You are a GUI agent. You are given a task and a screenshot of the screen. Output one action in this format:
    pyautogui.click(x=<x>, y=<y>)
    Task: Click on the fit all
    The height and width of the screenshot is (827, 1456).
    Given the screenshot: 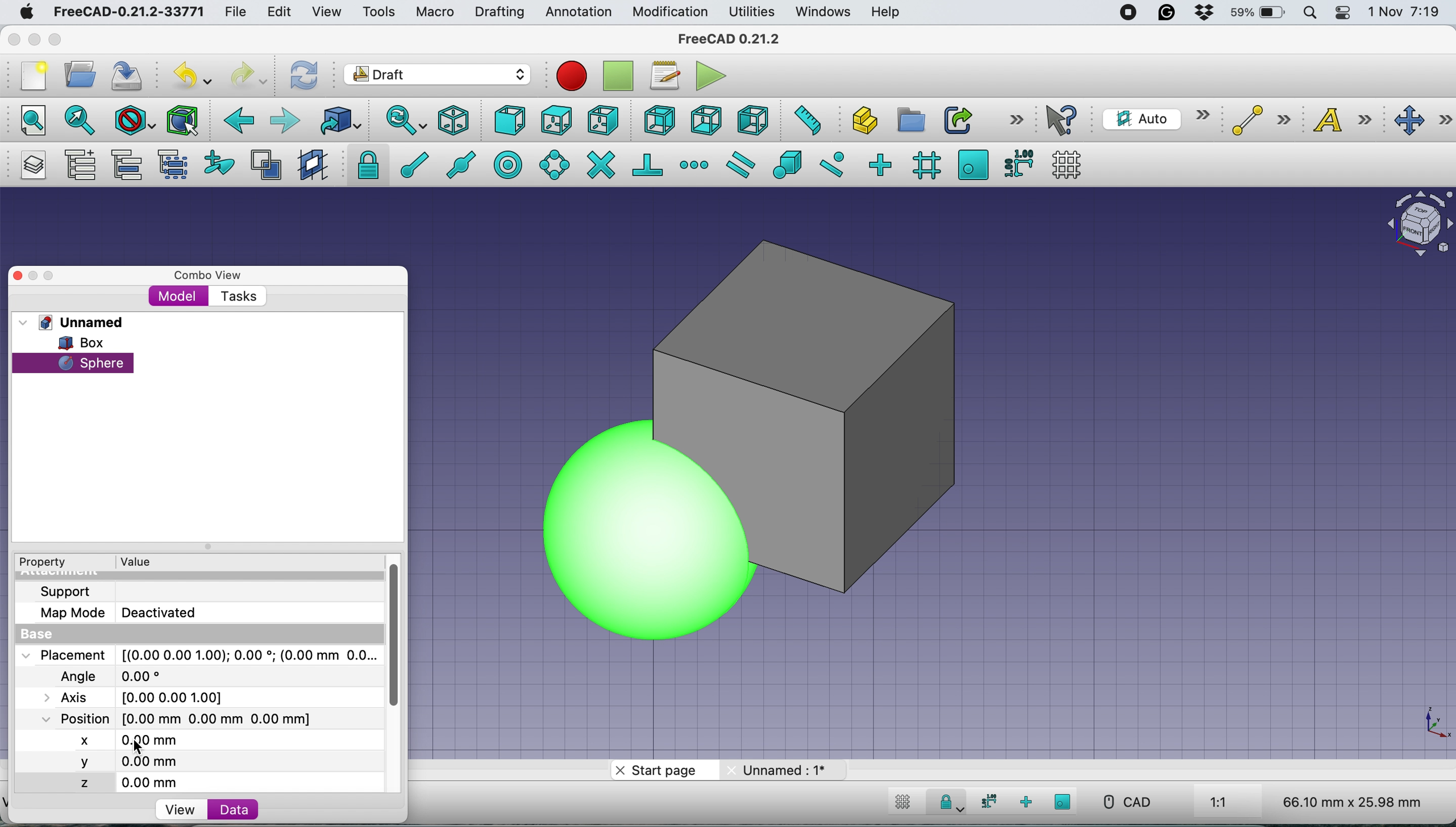 What is the action you would take?
    pyautogui.click(x=27, y=119)
    